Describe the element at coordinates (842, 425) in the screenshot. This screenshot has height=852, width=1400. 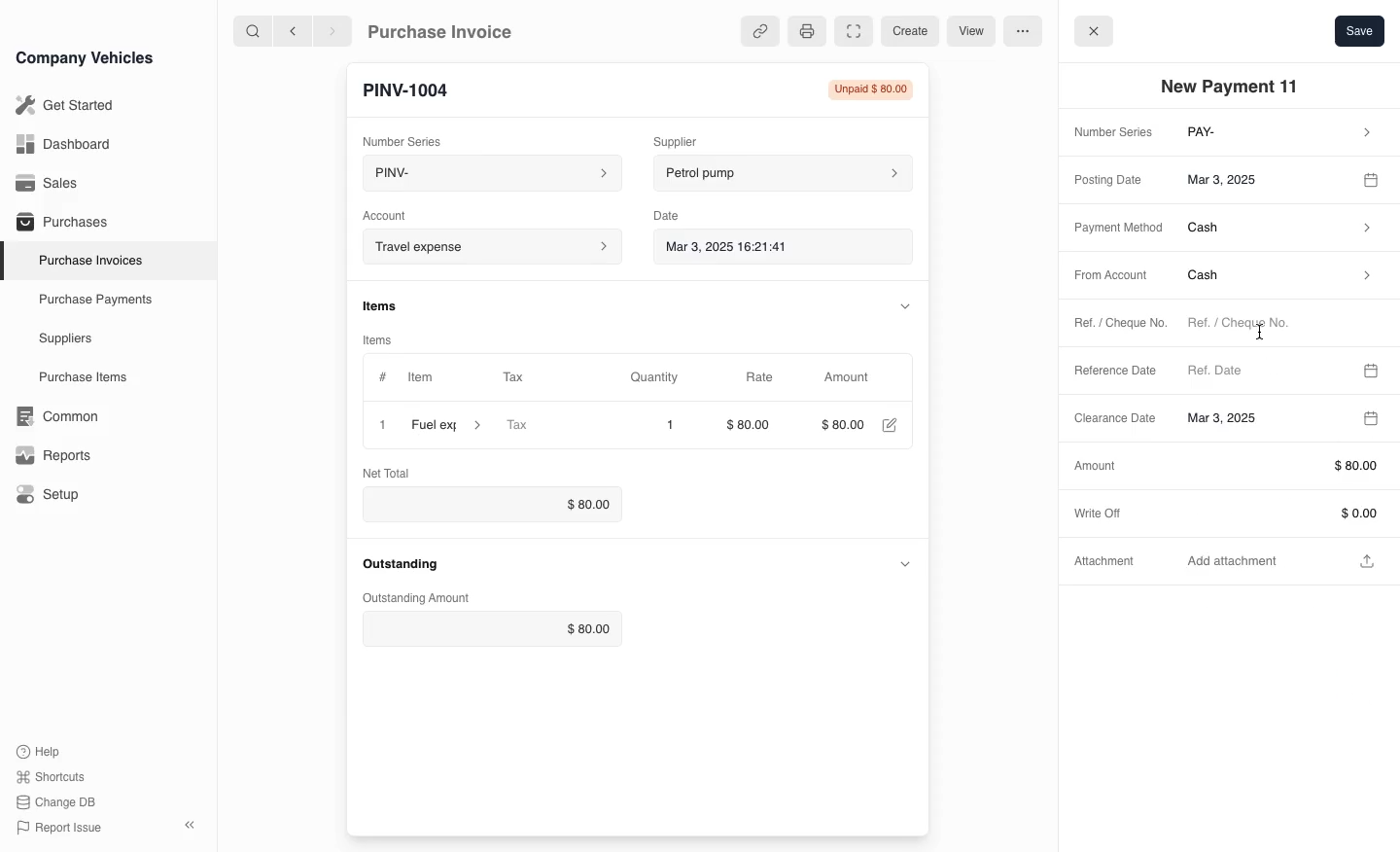
I see `$000` at that location.